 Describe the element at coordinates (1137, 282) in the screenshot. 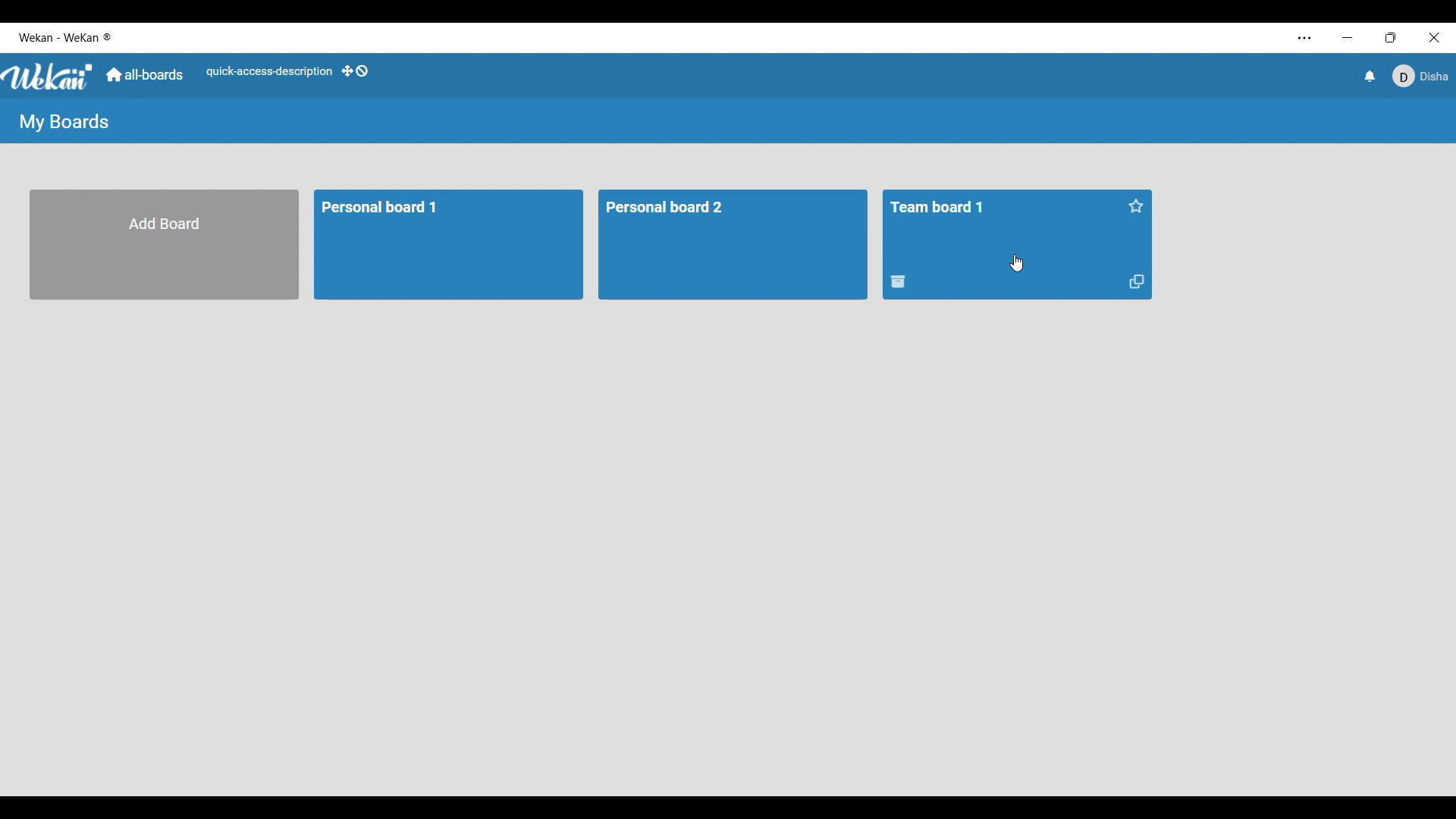

I see `Duplicate board` at that location.